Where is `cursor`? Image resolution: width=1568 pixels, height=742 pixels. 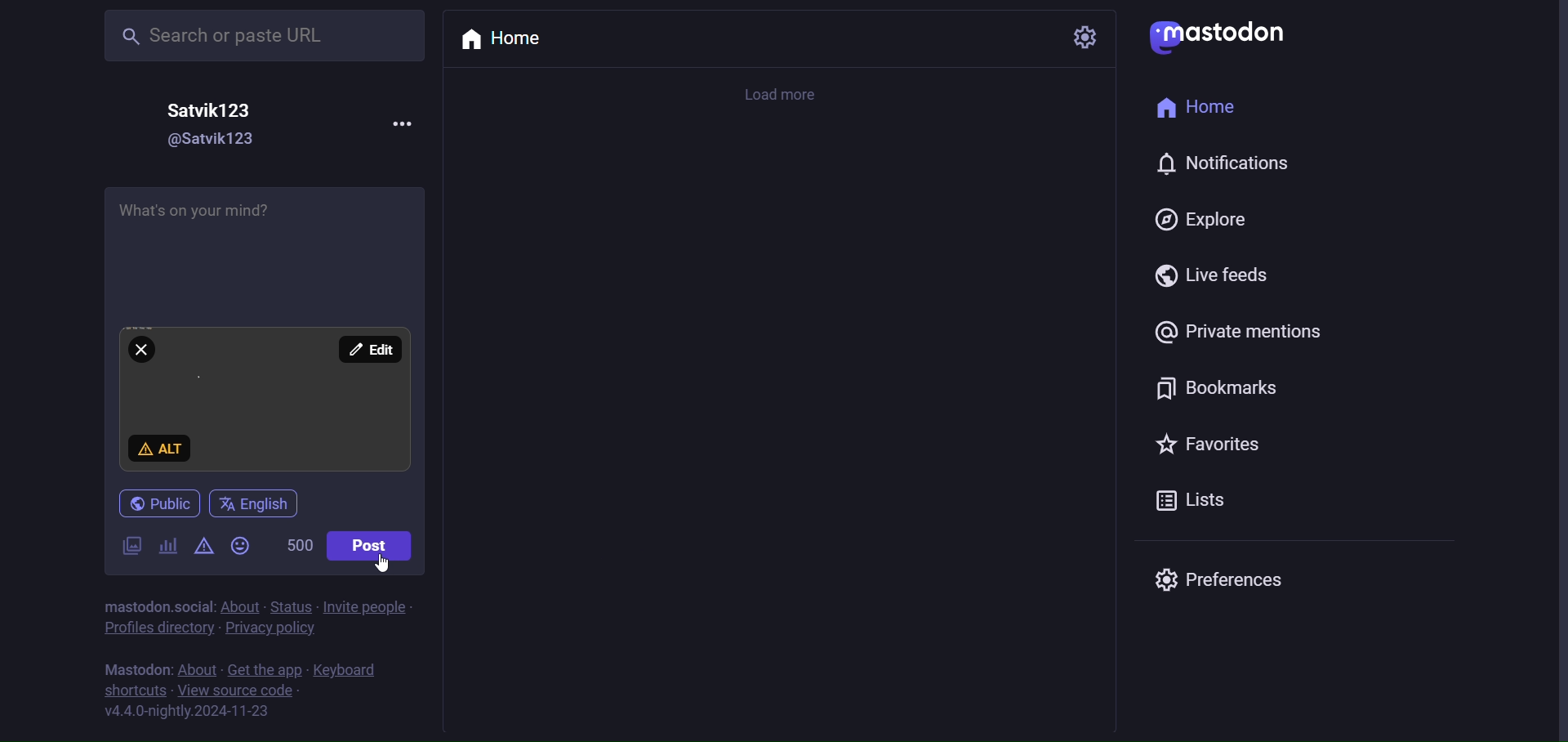
cursor is located at coordinates (384, 562).